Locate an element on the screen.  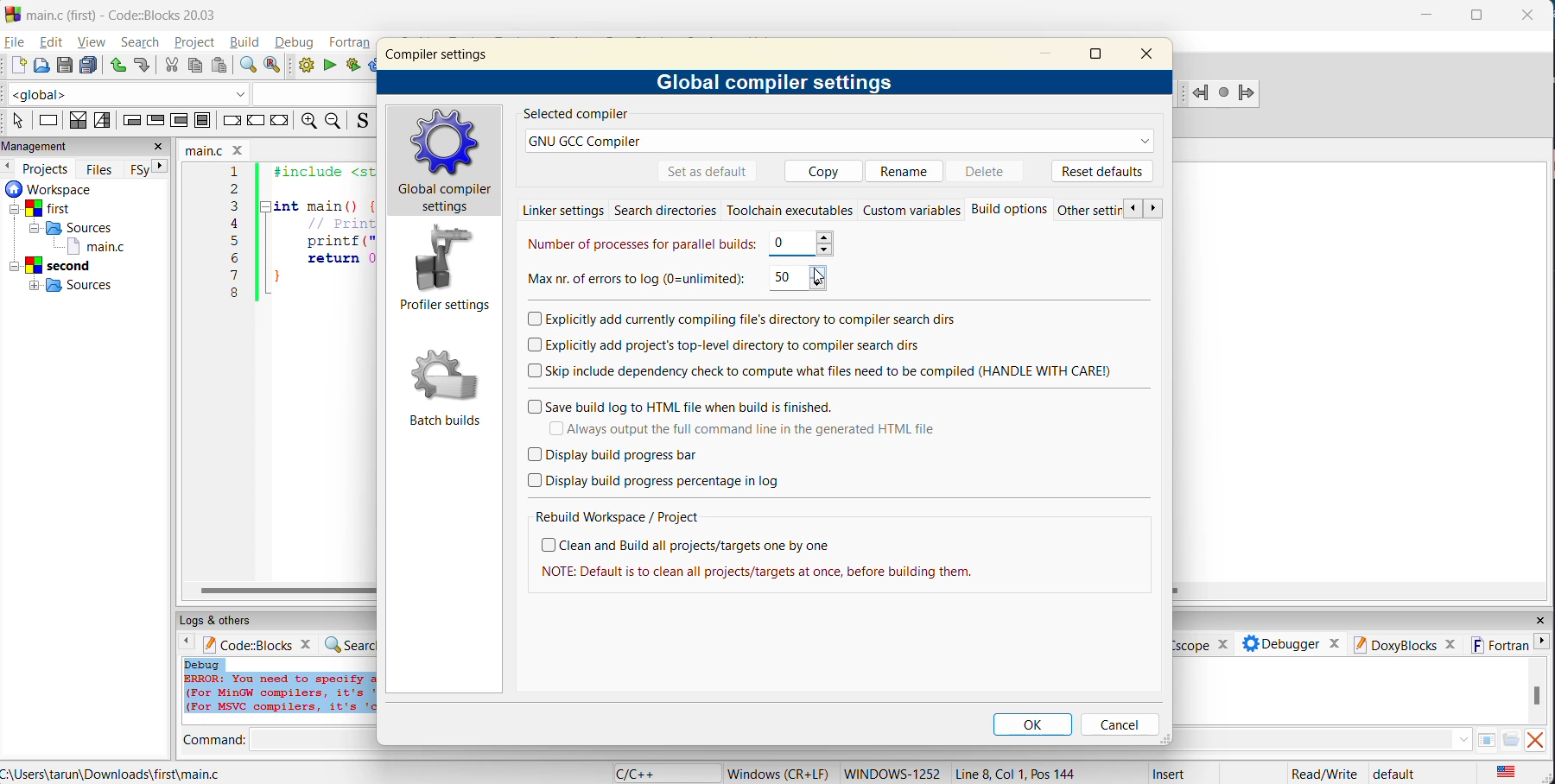
open is located at coordinates (41, 66).